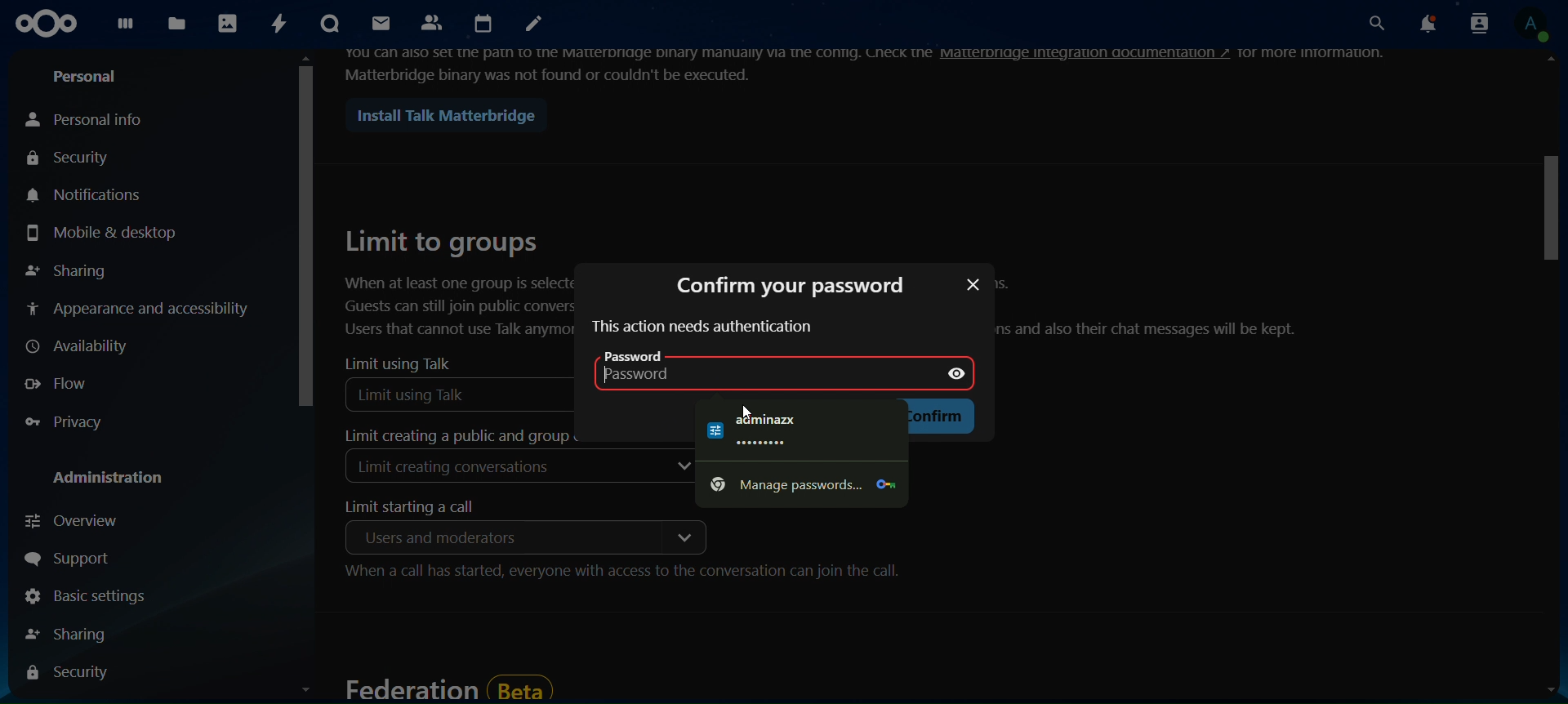 The width and height of the screenshot is (1568, 704). I want to click on text, so click(1321, 53).